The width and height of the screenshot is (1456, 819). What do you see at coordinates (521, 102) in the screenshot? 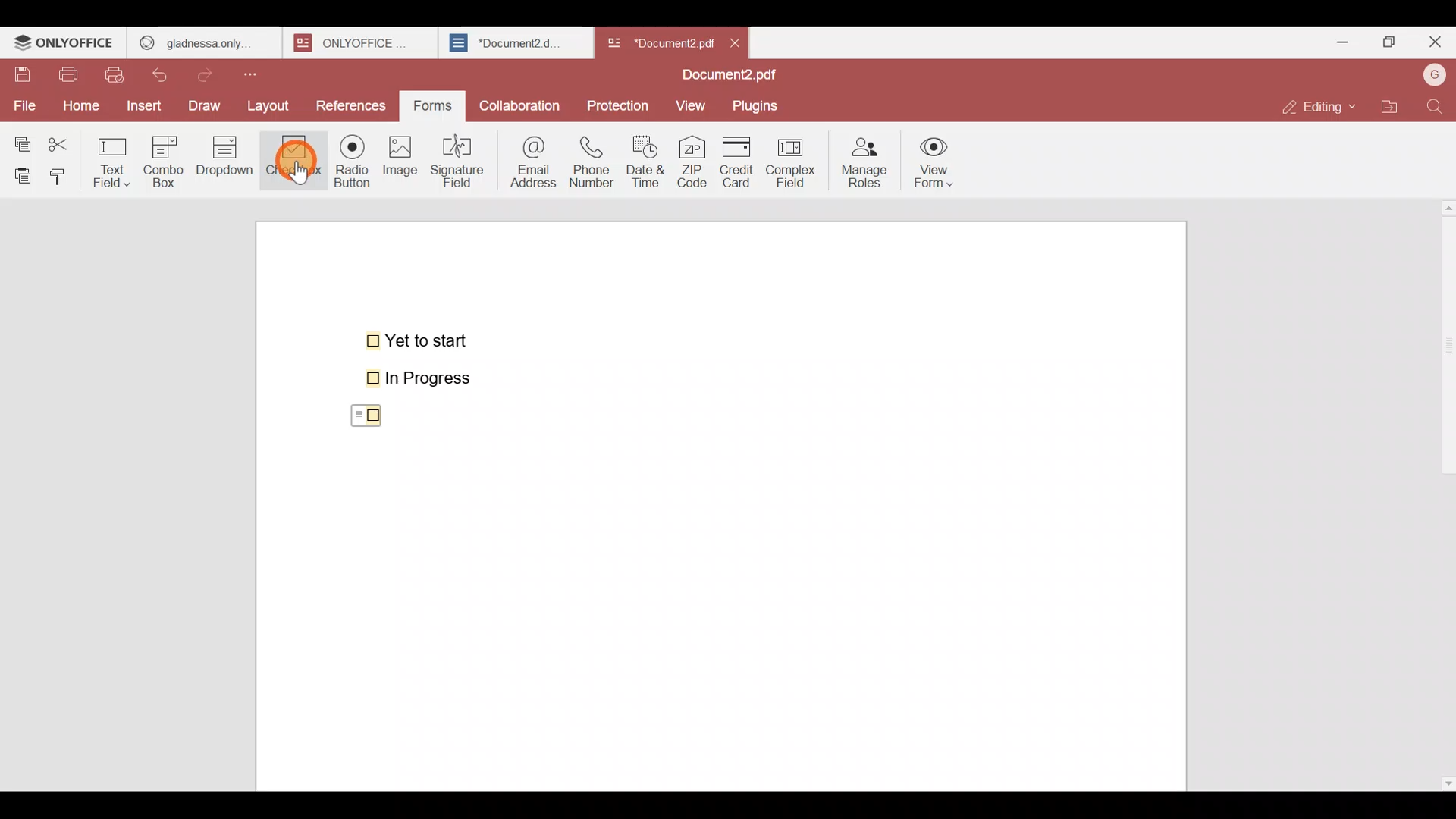
I see `Collaboration` at bounding box center [521, 102].